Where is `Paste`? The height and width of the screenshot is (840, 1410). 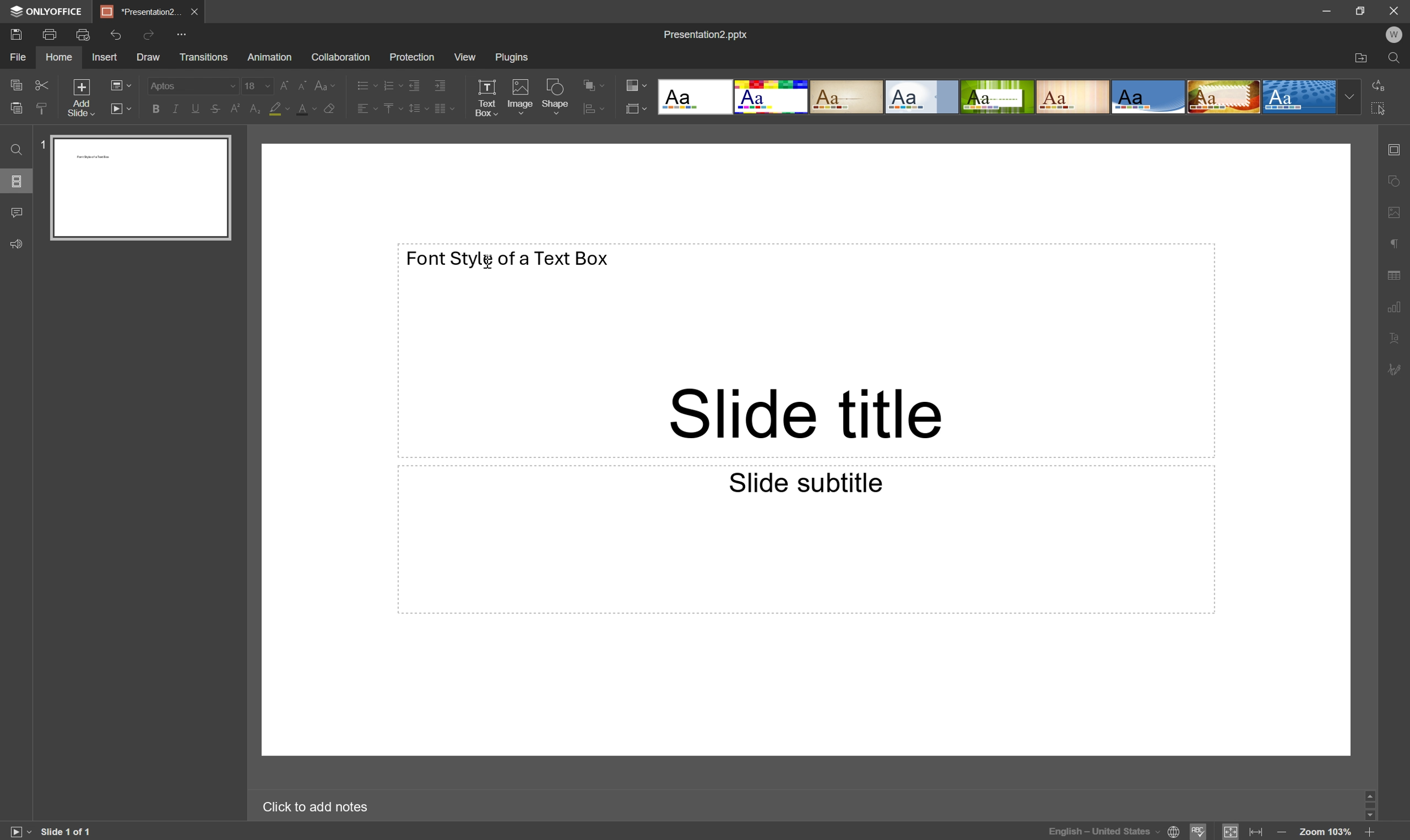
Paste is located at coordinates (16, 108).